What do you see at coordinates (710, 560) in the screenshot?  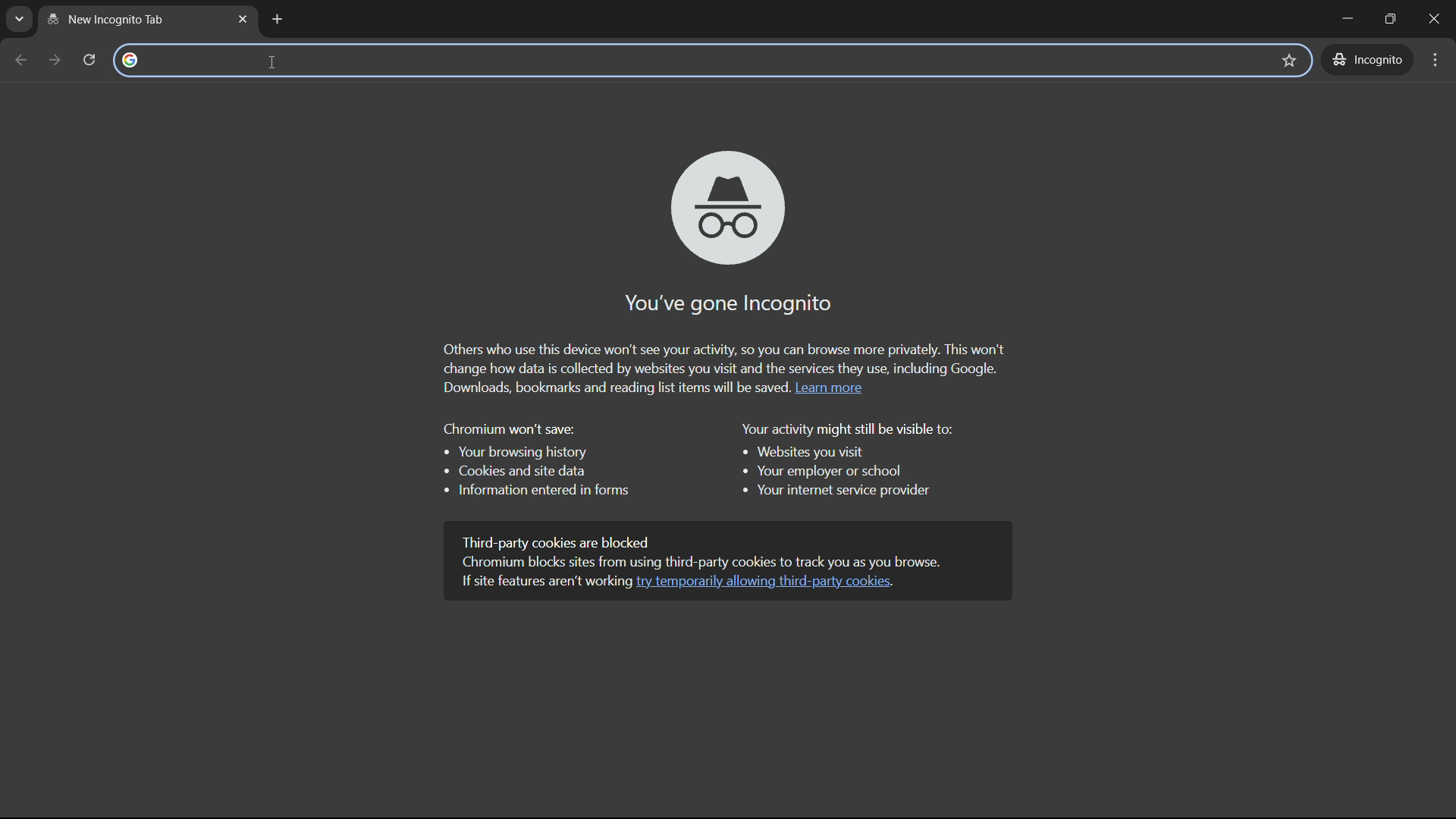 I see `‘Chromium blocks sites from using third-party cookies to track you as you browse.` at bounding box center [710, 560].